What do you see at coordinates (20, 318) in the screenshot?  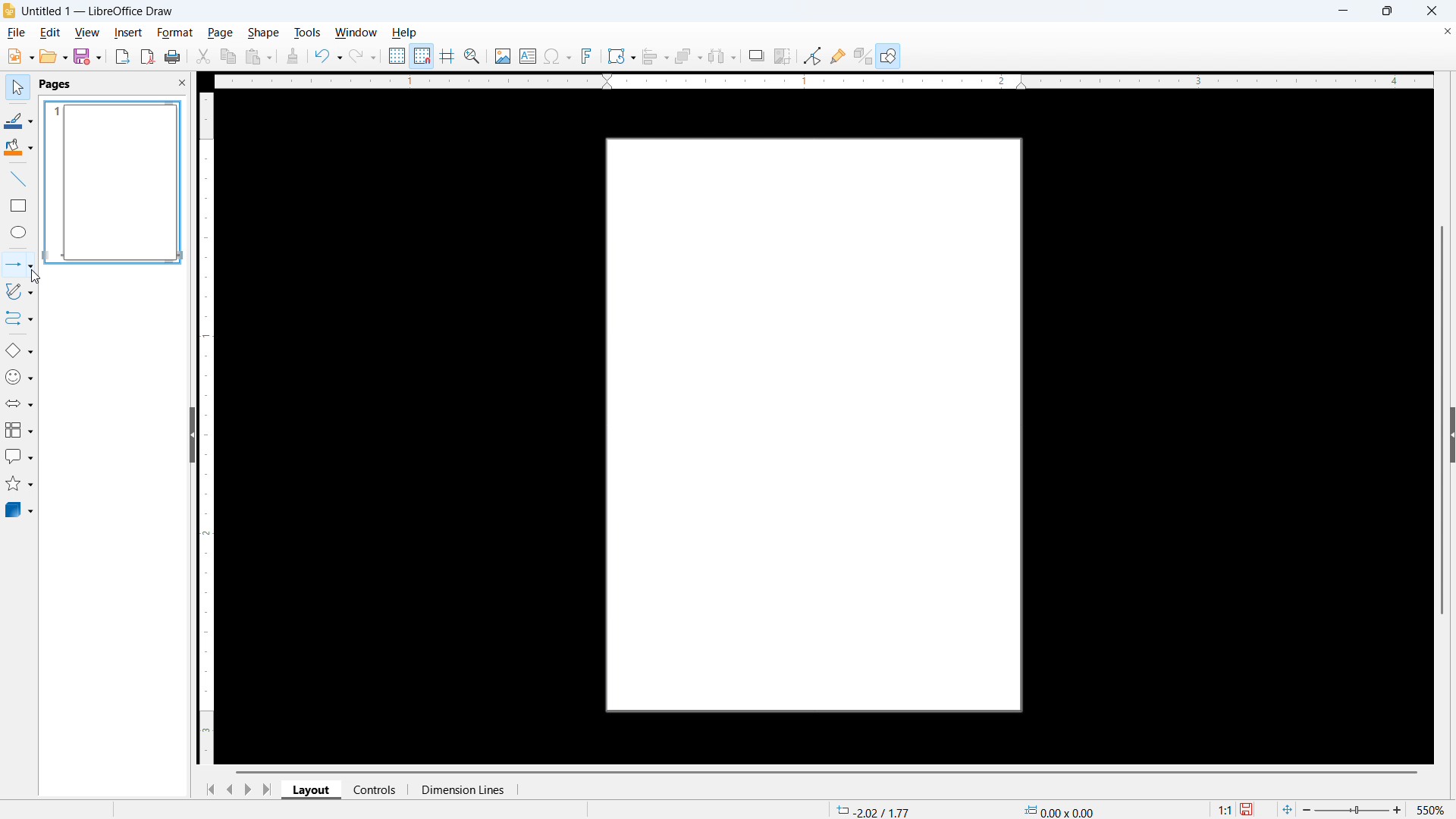 I see `Connectors ` at bounding box center [20, 318].